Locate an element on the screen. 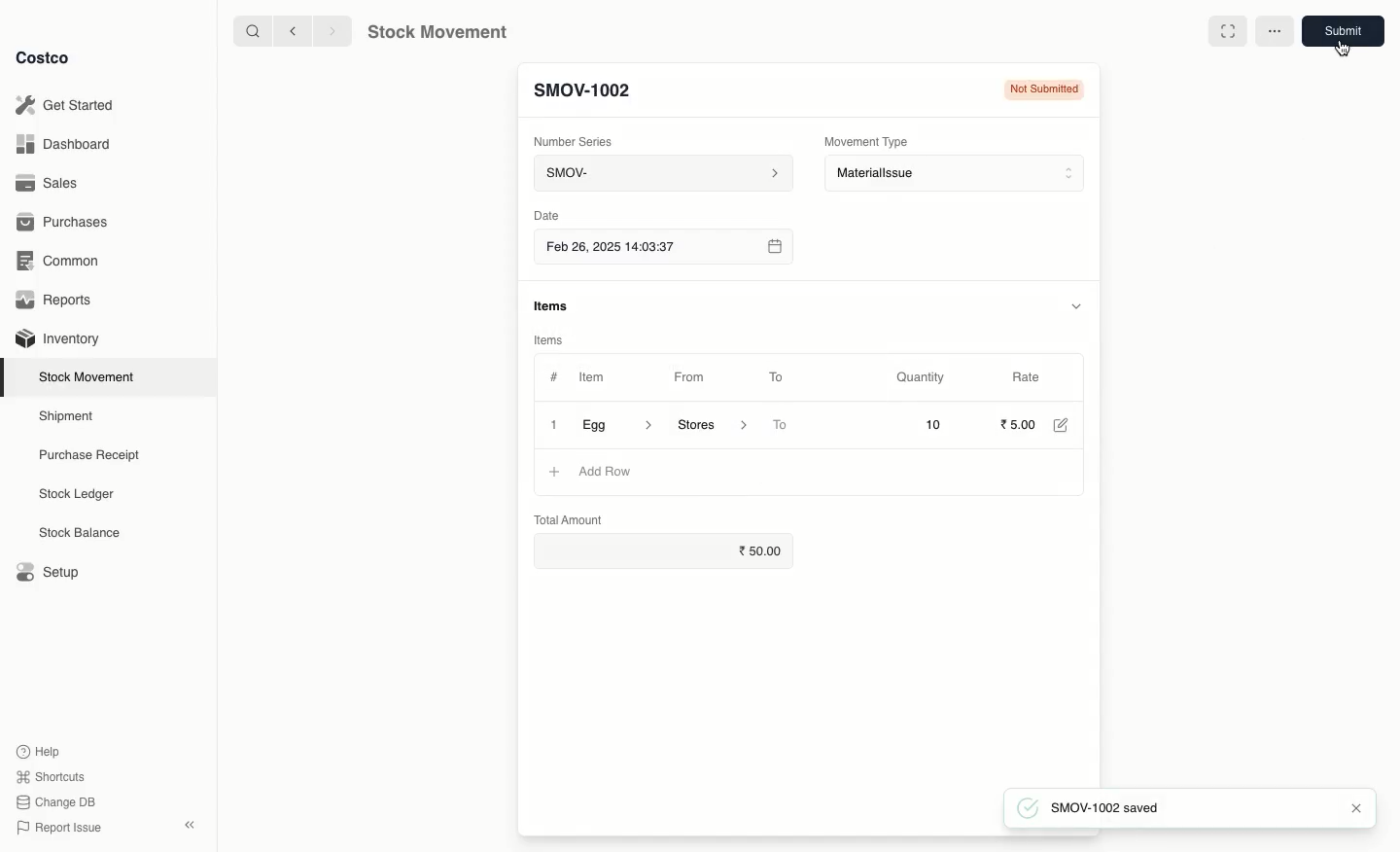 Image resolution: width=1400 pixels, height=852 pixels. Not submitted is located at coordinates (1042, 91).